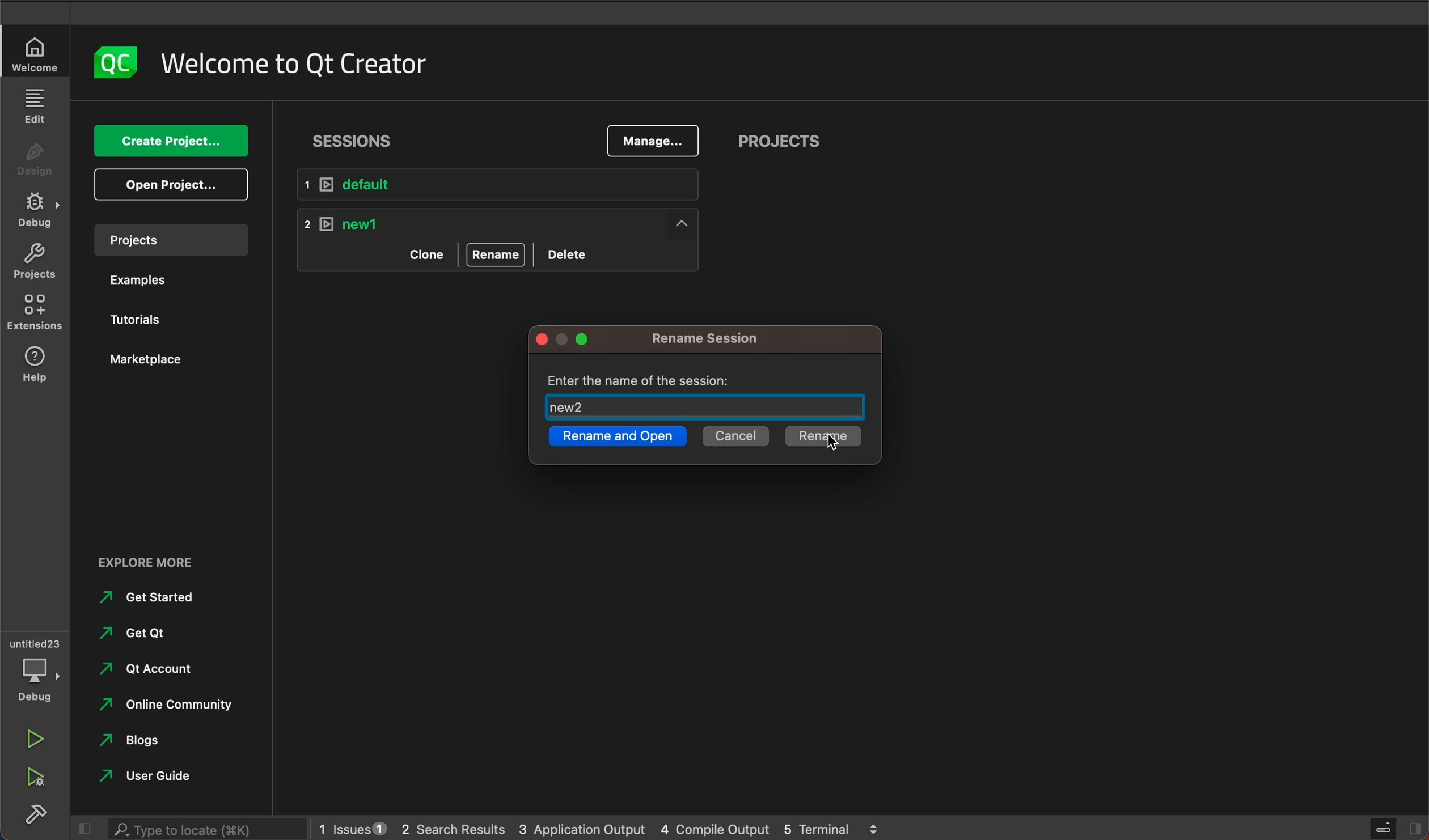  I want to click on welcome, so click(36, 54).